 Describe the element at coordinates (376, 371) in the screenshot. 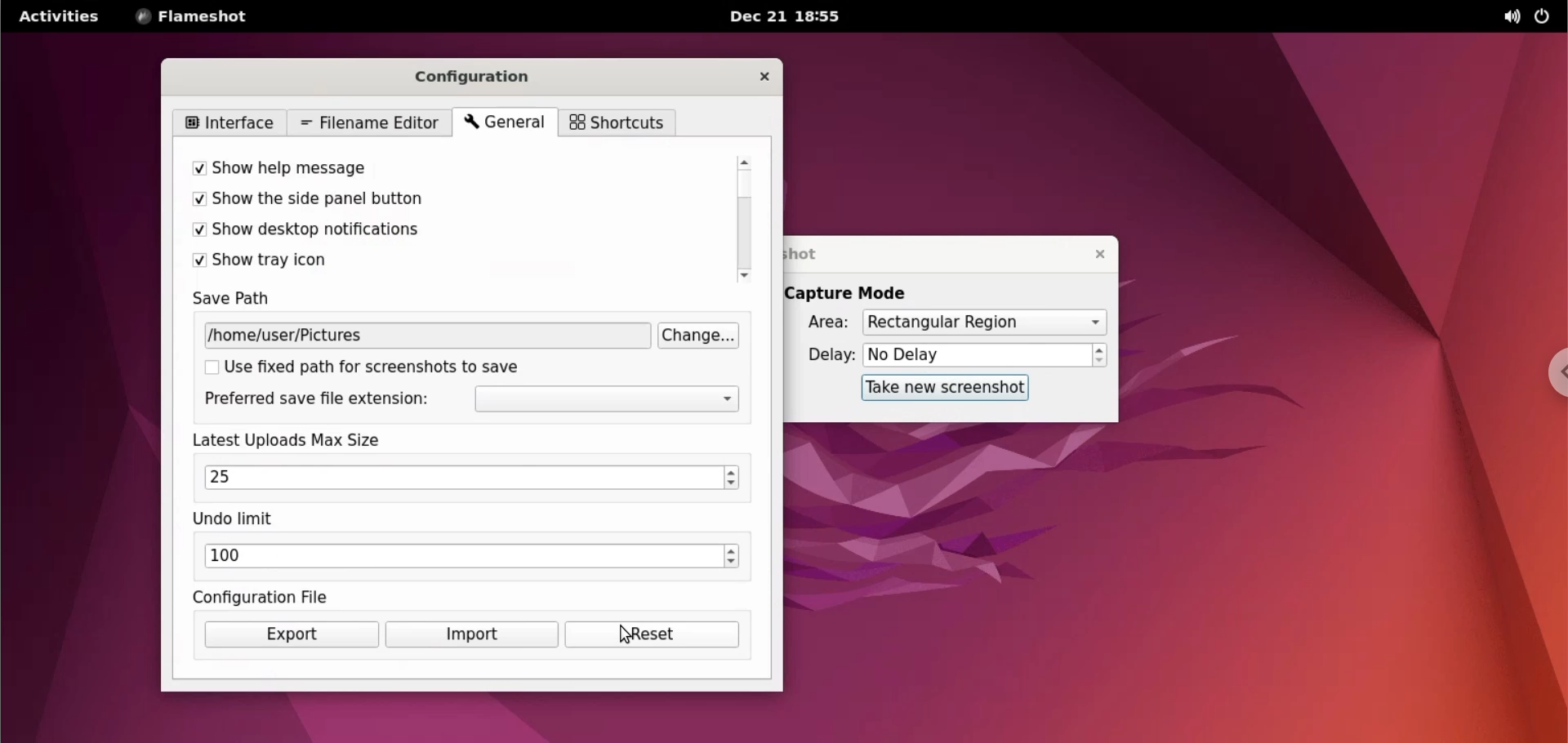

I see `use fixed path for screenshot to save` at that location.